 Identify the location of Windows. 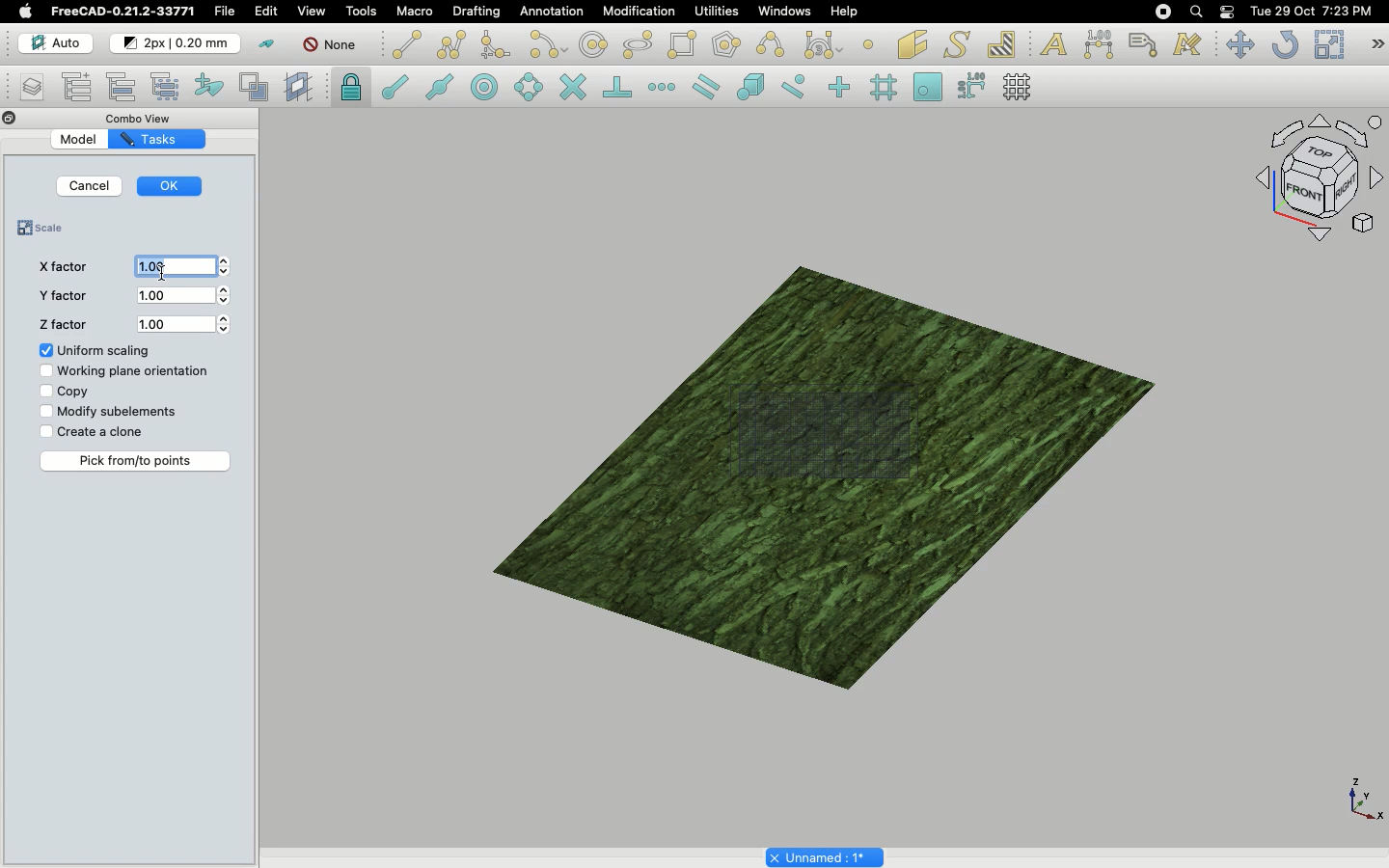
(782, 12).